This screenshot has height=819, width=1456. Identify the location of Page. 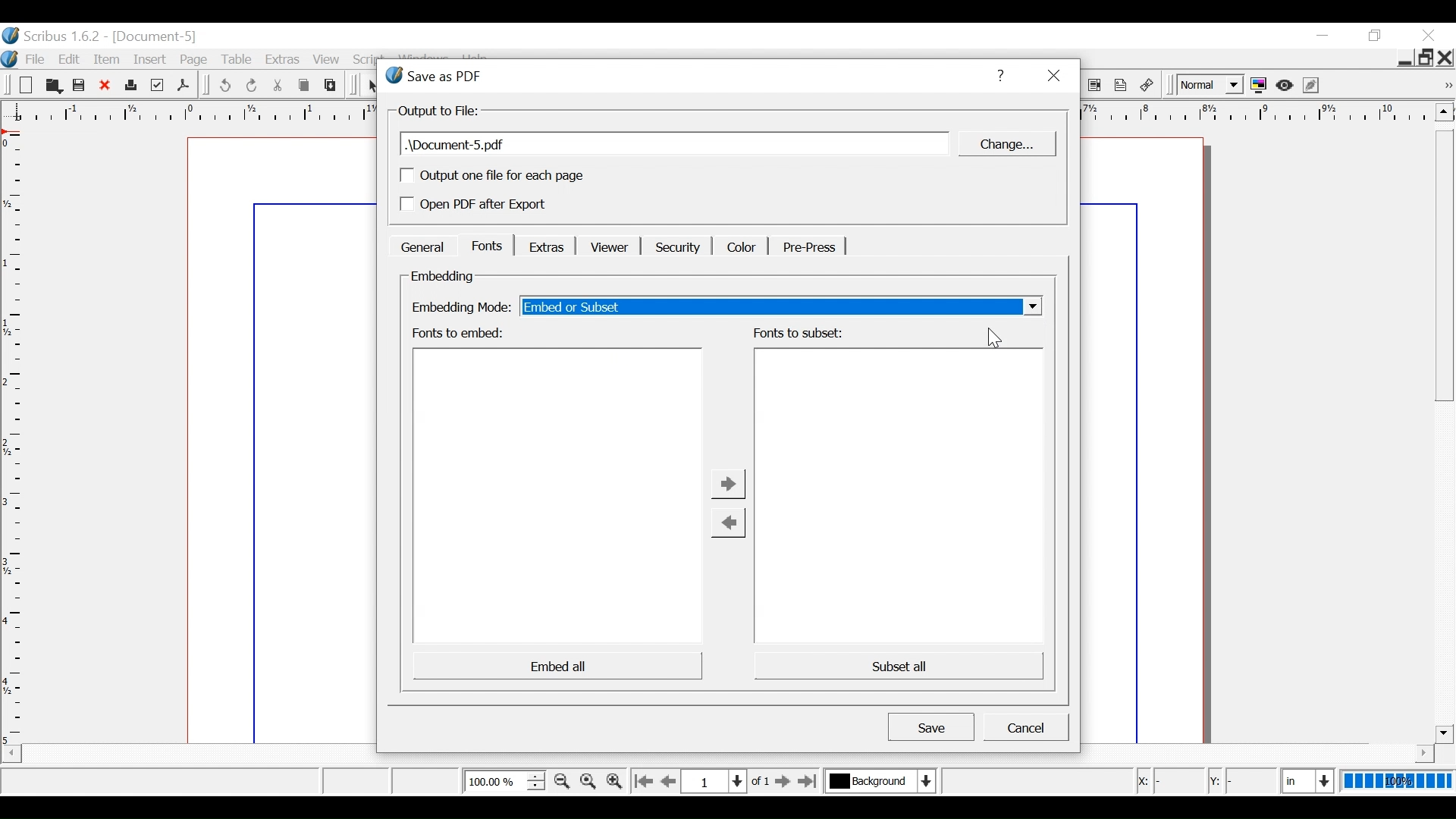
(197, 60).